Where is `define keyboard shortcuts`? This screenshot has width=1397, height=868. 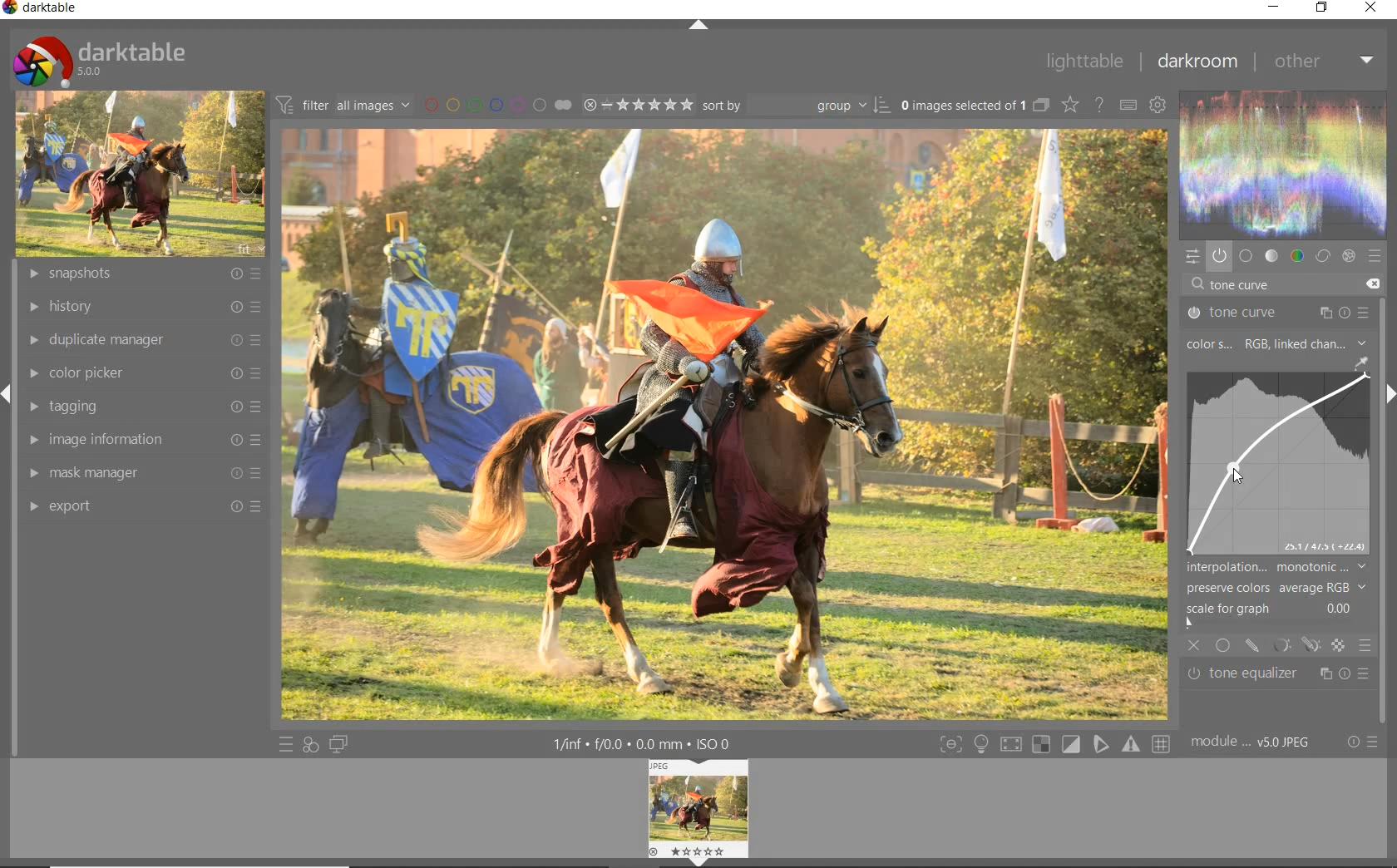 define keyboard shortcuts is located at coordinates (1128, 106).